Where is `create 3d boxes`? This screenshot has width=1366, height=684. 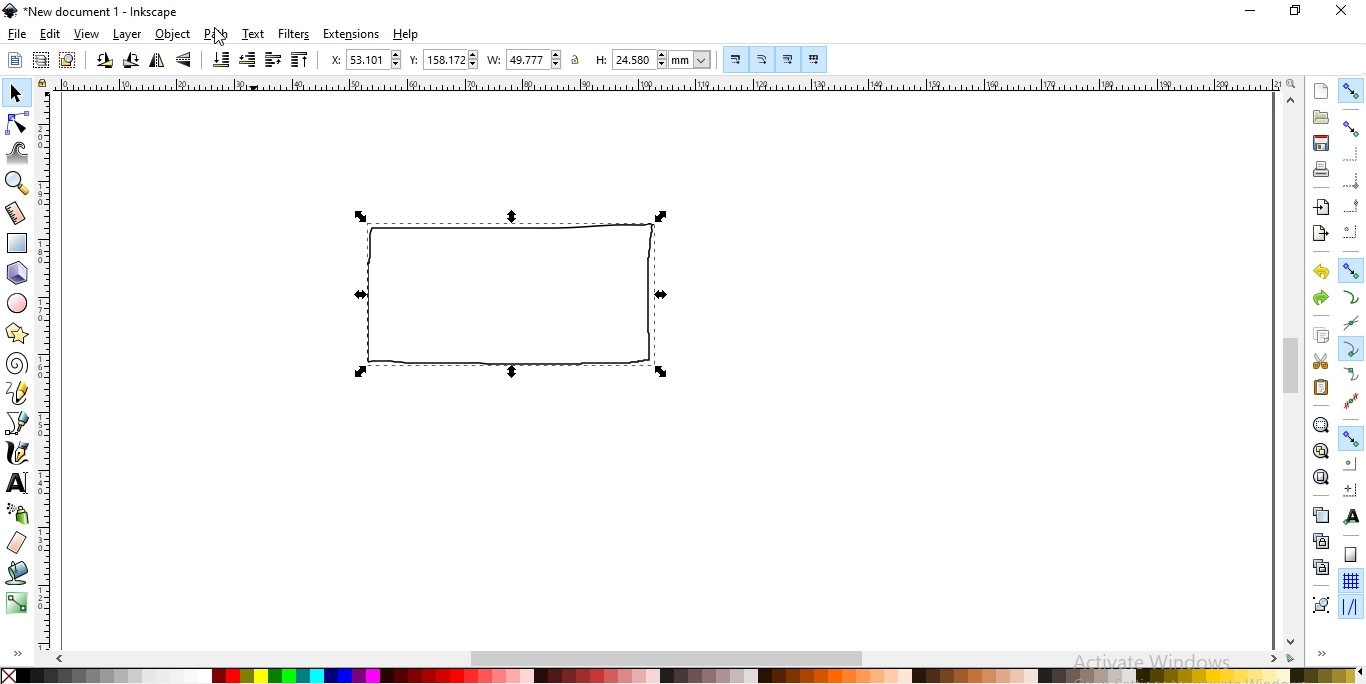
create 3d boxes is located at coordinates (17, 274).